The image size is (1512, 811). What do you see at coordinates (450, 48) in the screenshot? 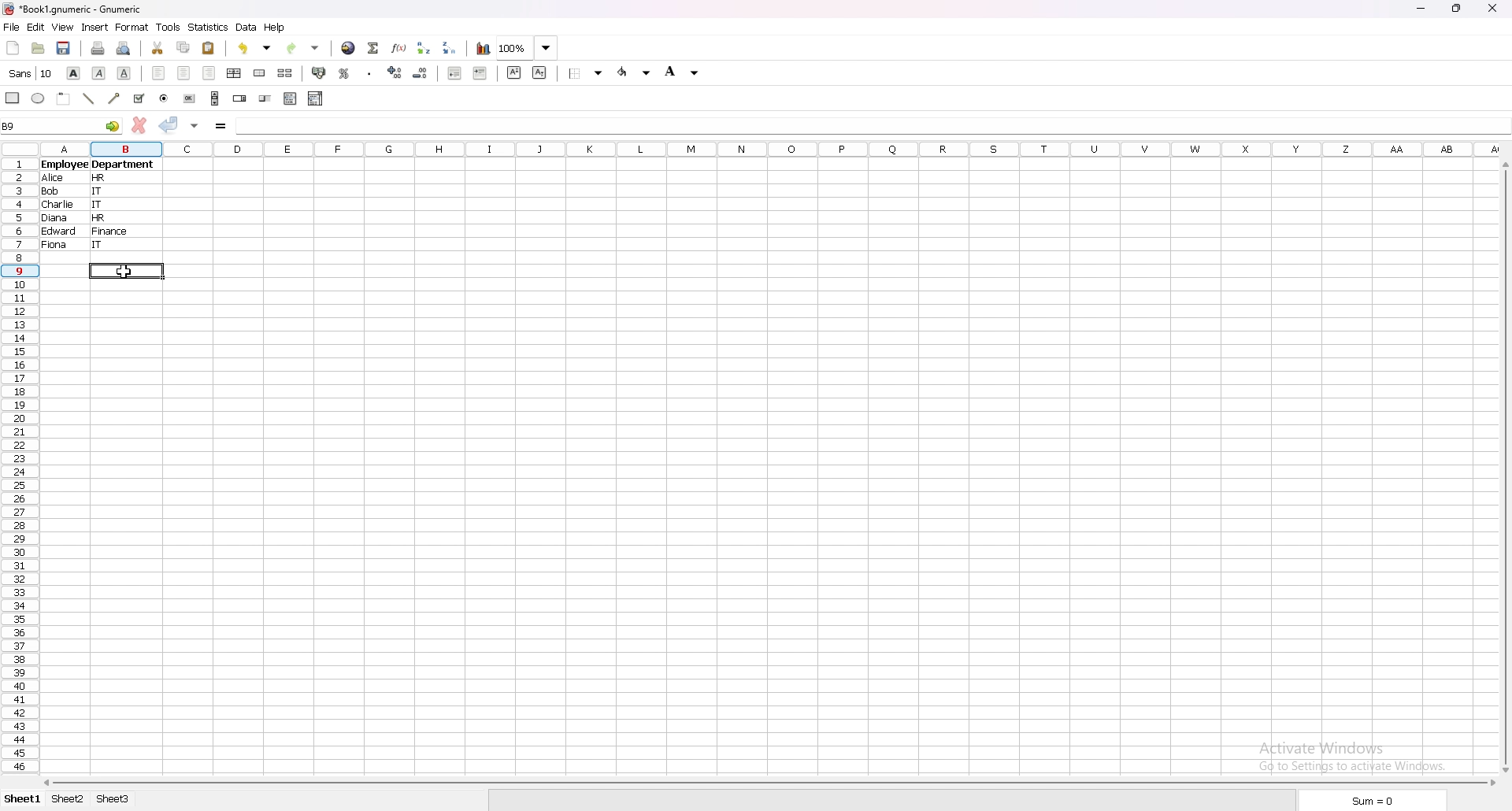
I see `sort descending` at bounding box center [450, 48].